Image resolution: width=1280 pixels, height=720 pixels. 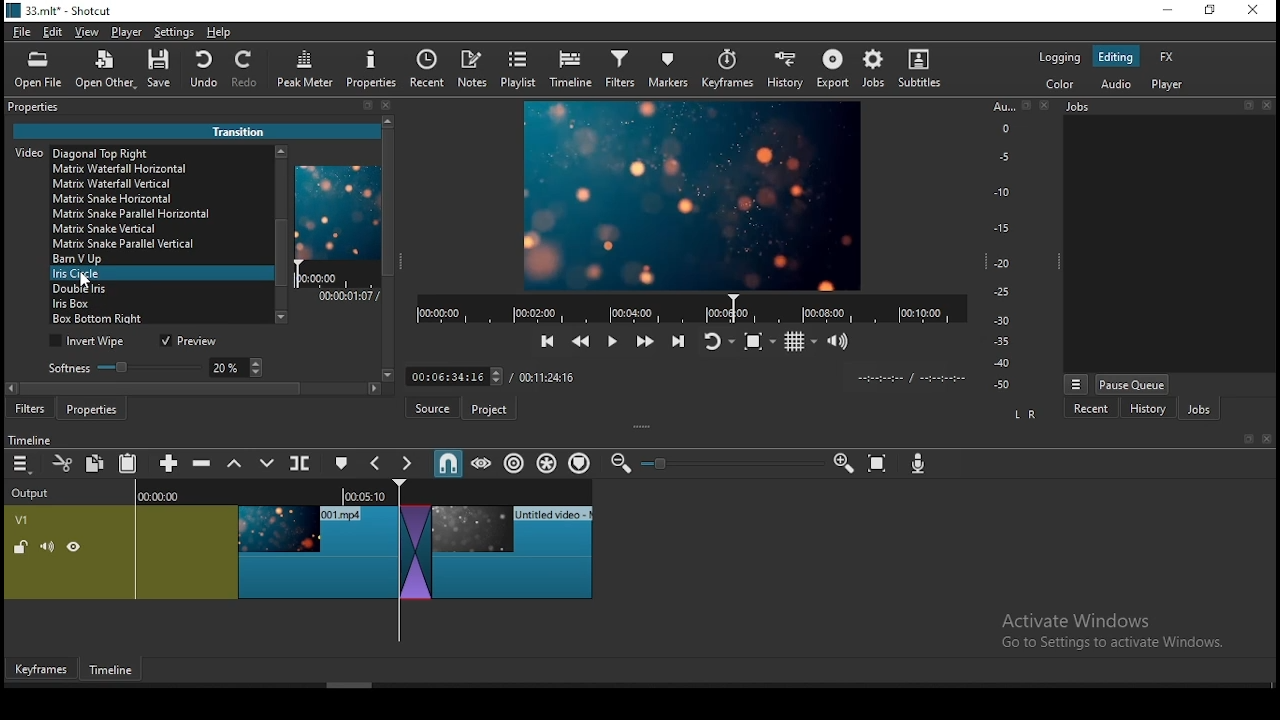 What do you see at coordinates (90, 34) in the screenshot?
I see `view` at bounding box center [90, 34].